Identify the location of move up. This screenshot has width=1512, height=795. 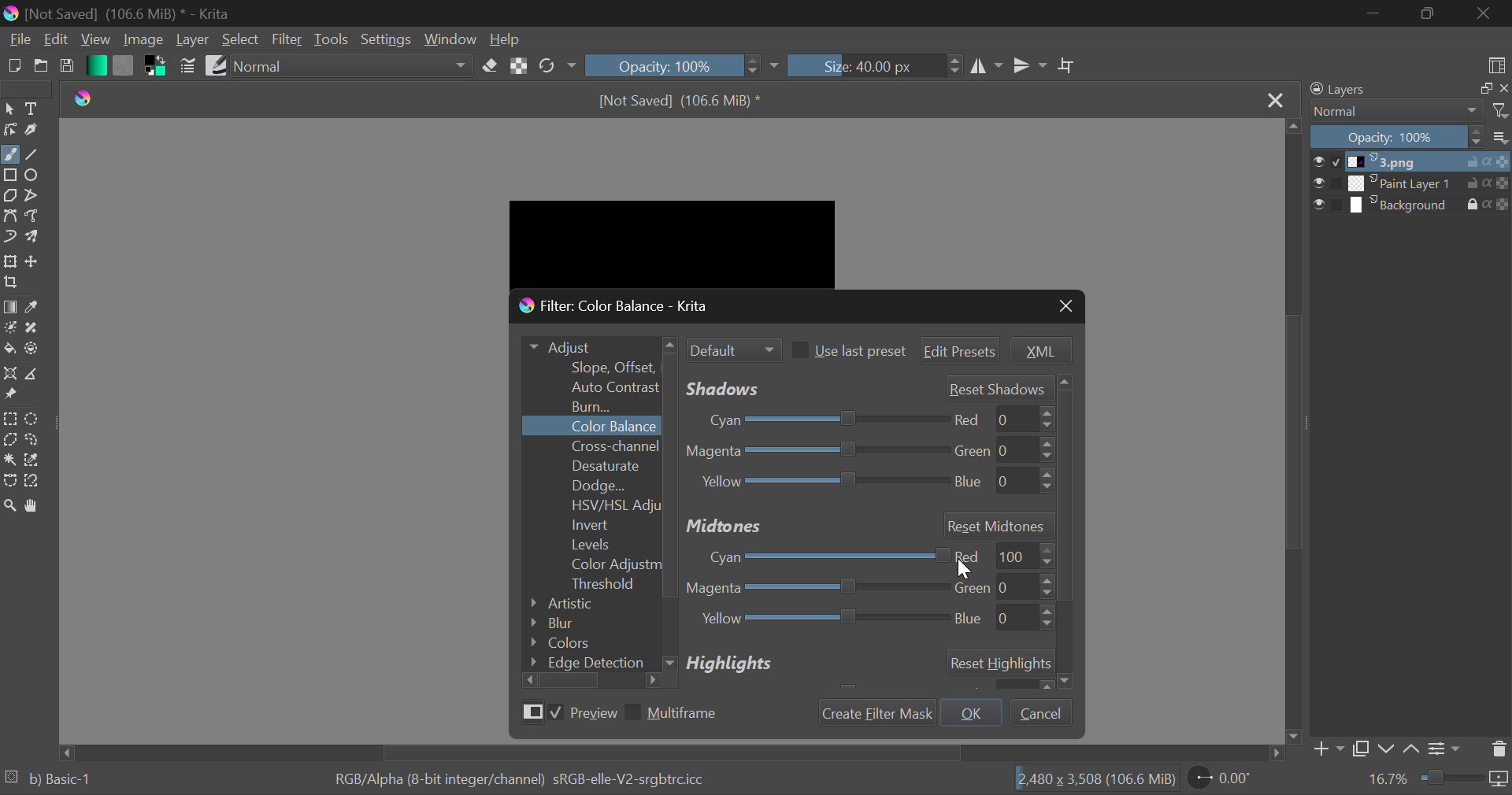
(1291, 128).